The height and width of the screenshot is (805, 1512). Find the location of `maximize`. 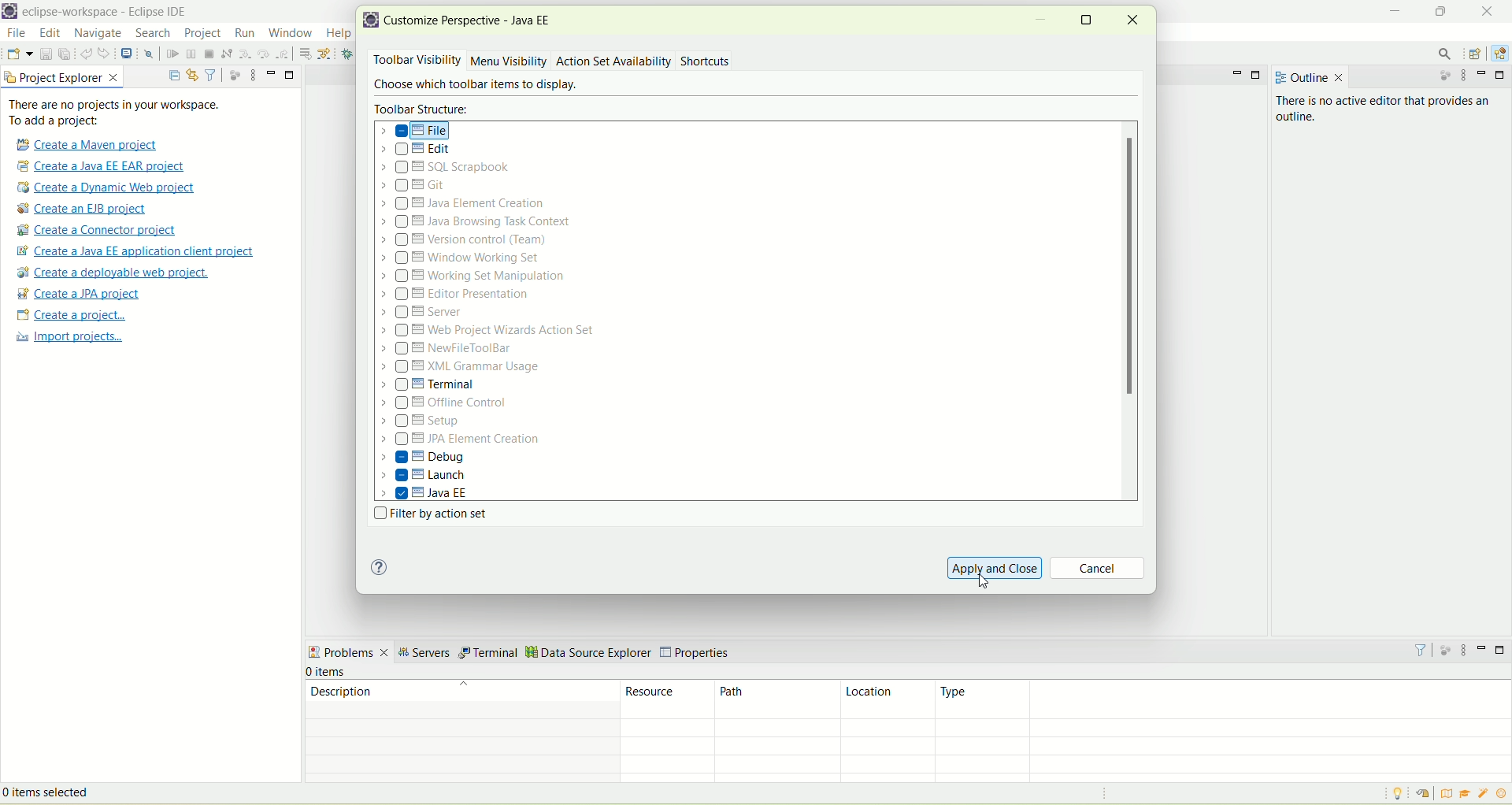

maximize is located at coordinates (1088, 18).